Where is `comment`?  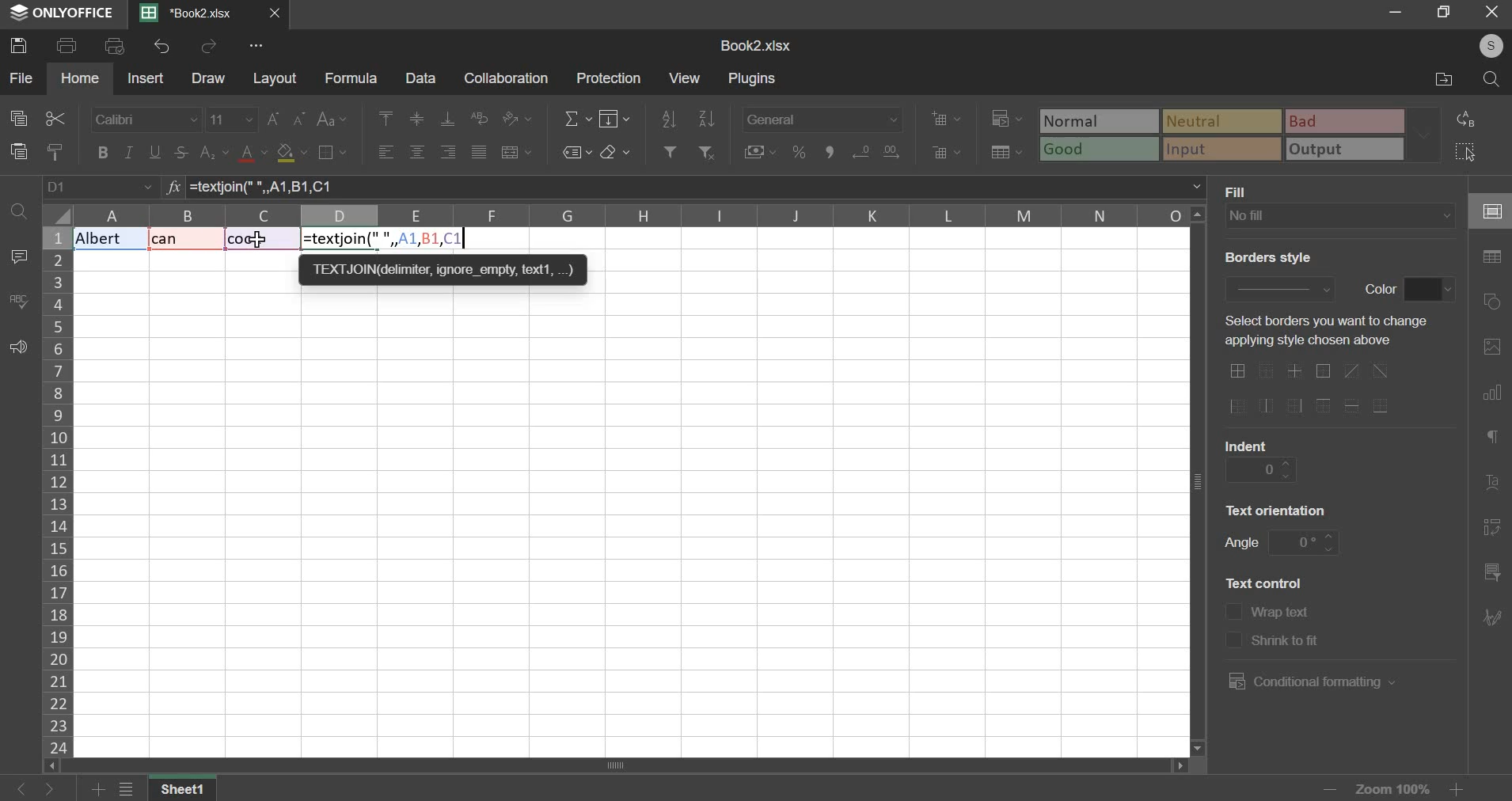 comment is located at coordinates (18, 256).